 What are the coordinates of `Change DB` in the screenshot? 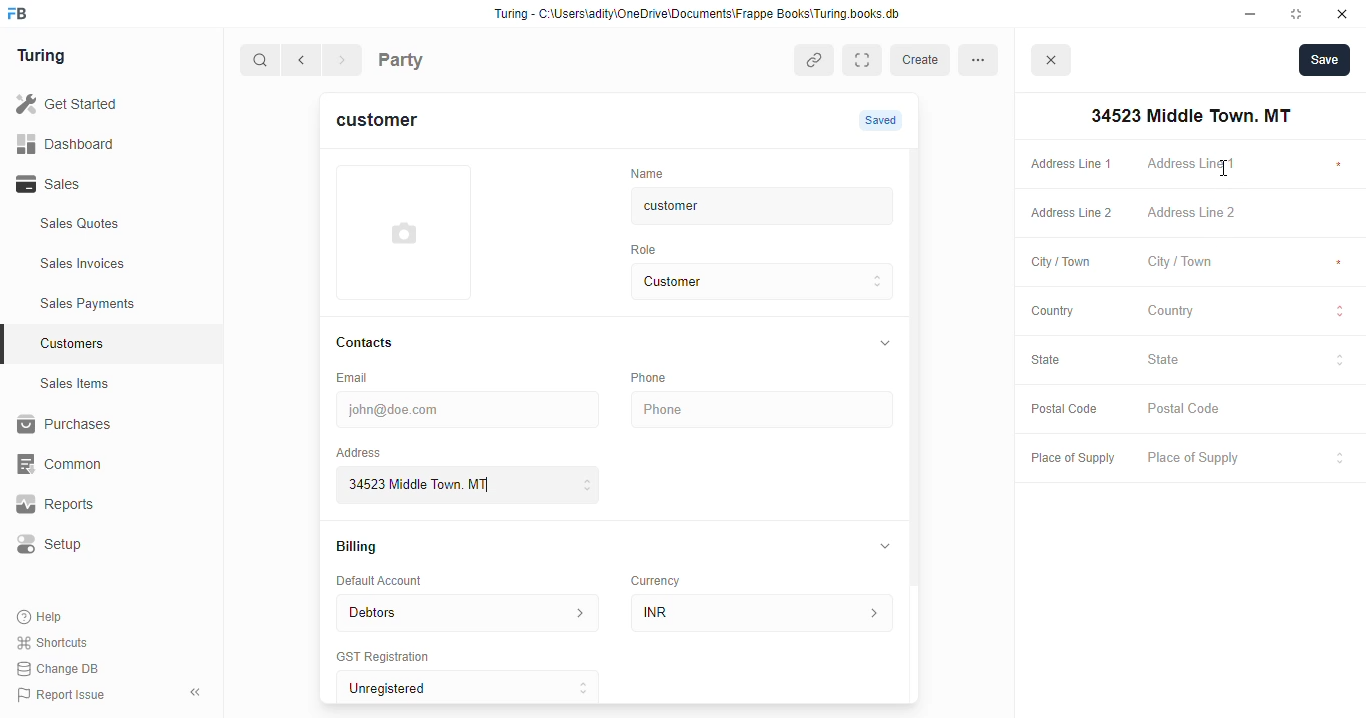 It's located at (62, 668).